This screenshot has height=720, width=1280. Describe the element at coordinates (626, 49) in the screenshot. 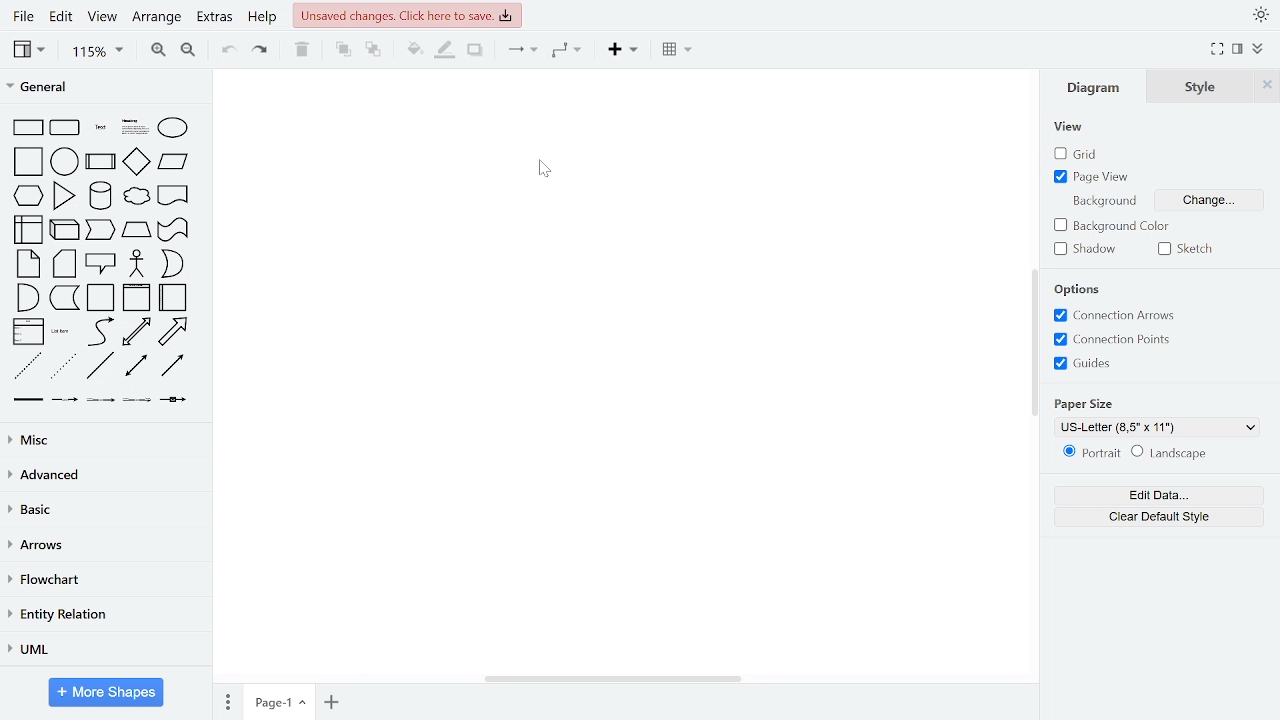

I see `insert` at that location.